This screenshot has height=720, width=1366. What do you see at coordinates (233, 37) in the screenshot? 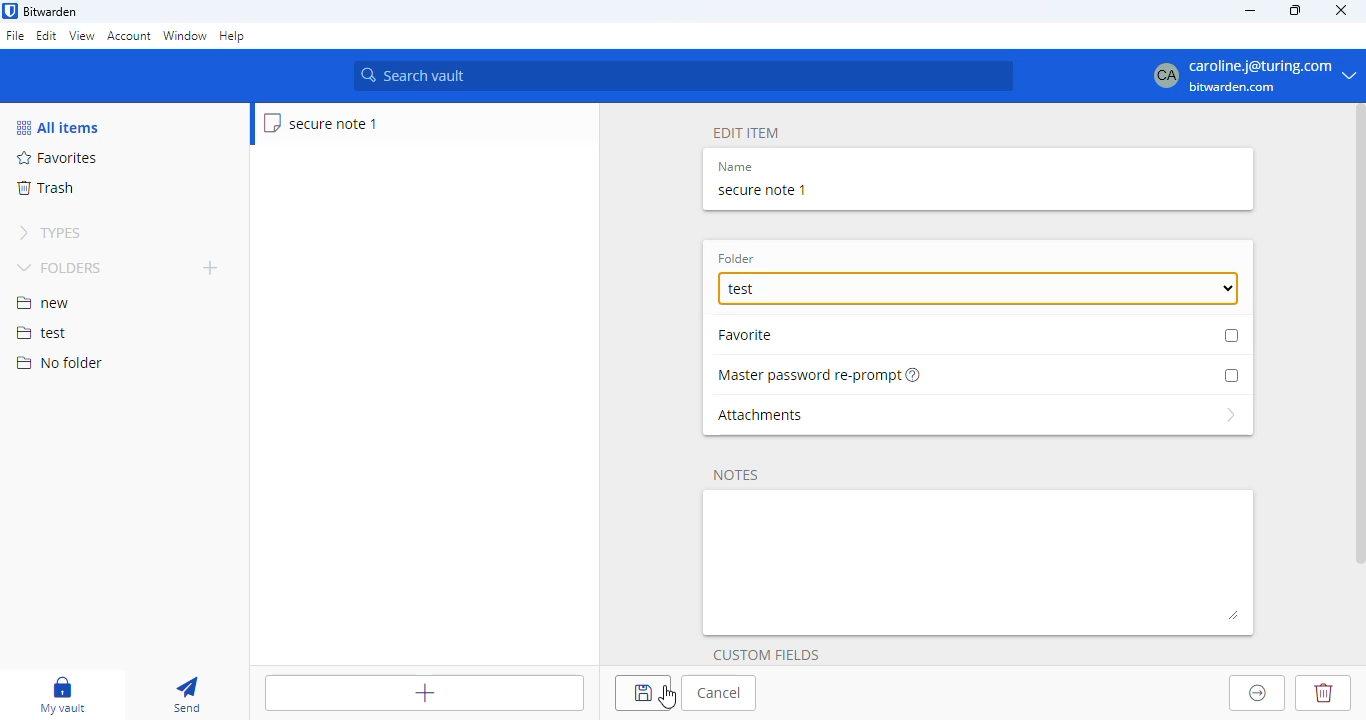
I see `help` at bounding box center [233, 37].